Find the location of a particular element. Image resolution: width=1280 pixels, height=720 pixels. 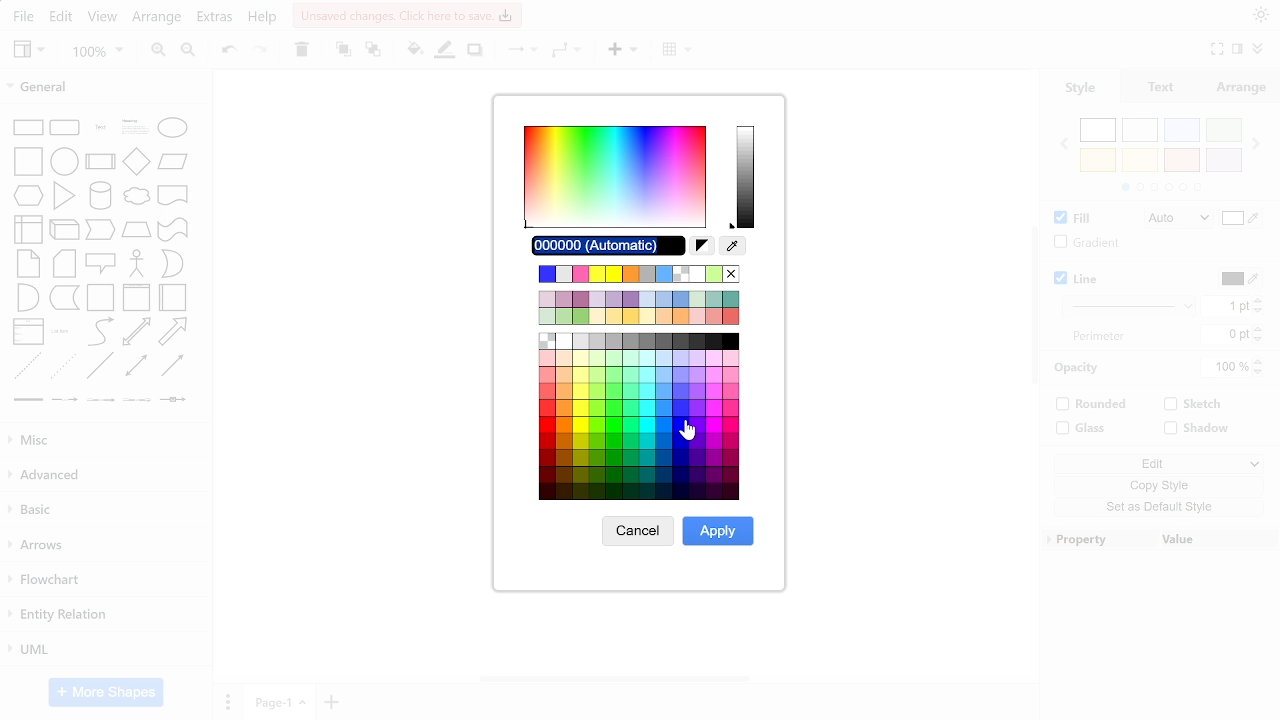

arrange is located at coordinates (1242, 87).